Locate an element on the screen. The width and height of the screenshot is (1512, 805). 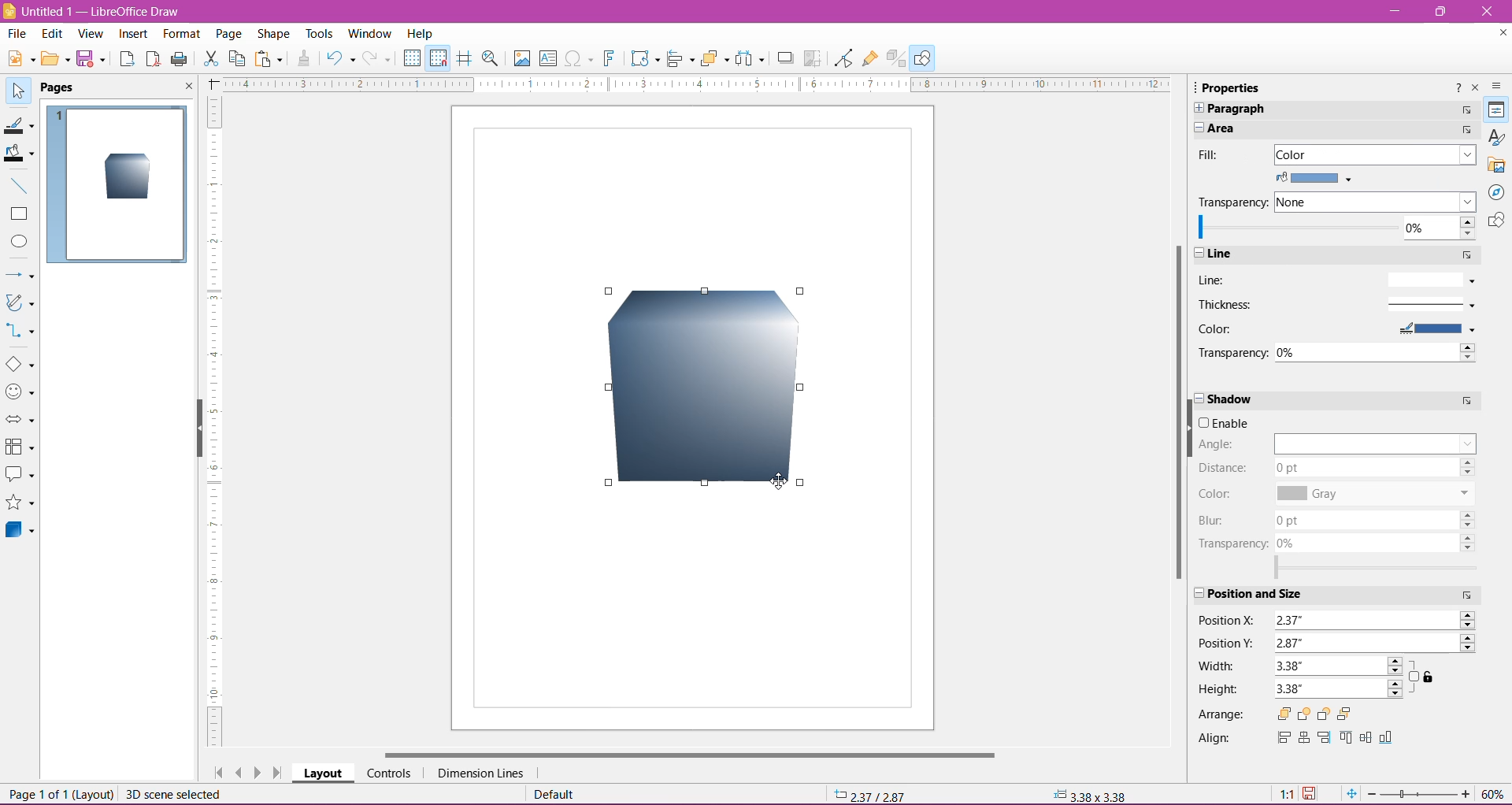
Document Title - Application Name is located at coordinates (94, 11).